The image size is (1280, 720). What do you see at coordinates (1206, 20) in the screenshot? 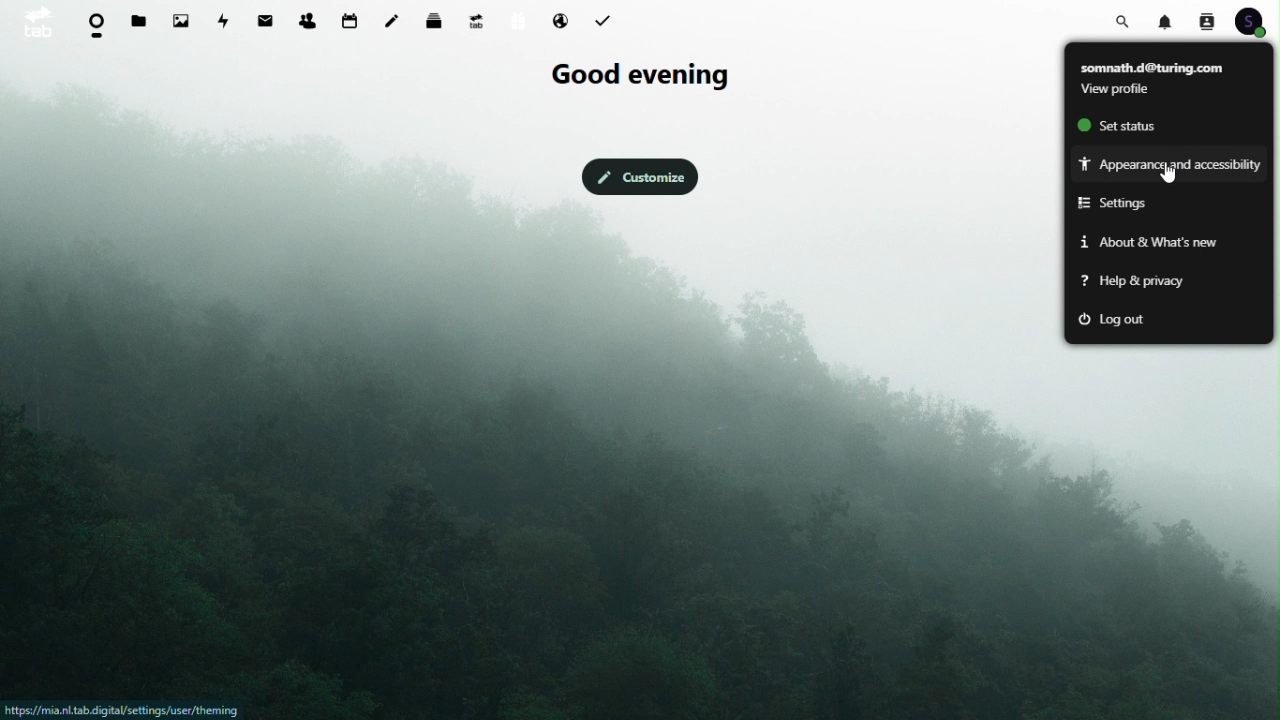
I see `Contacts` at bounding box center [1206, 20].